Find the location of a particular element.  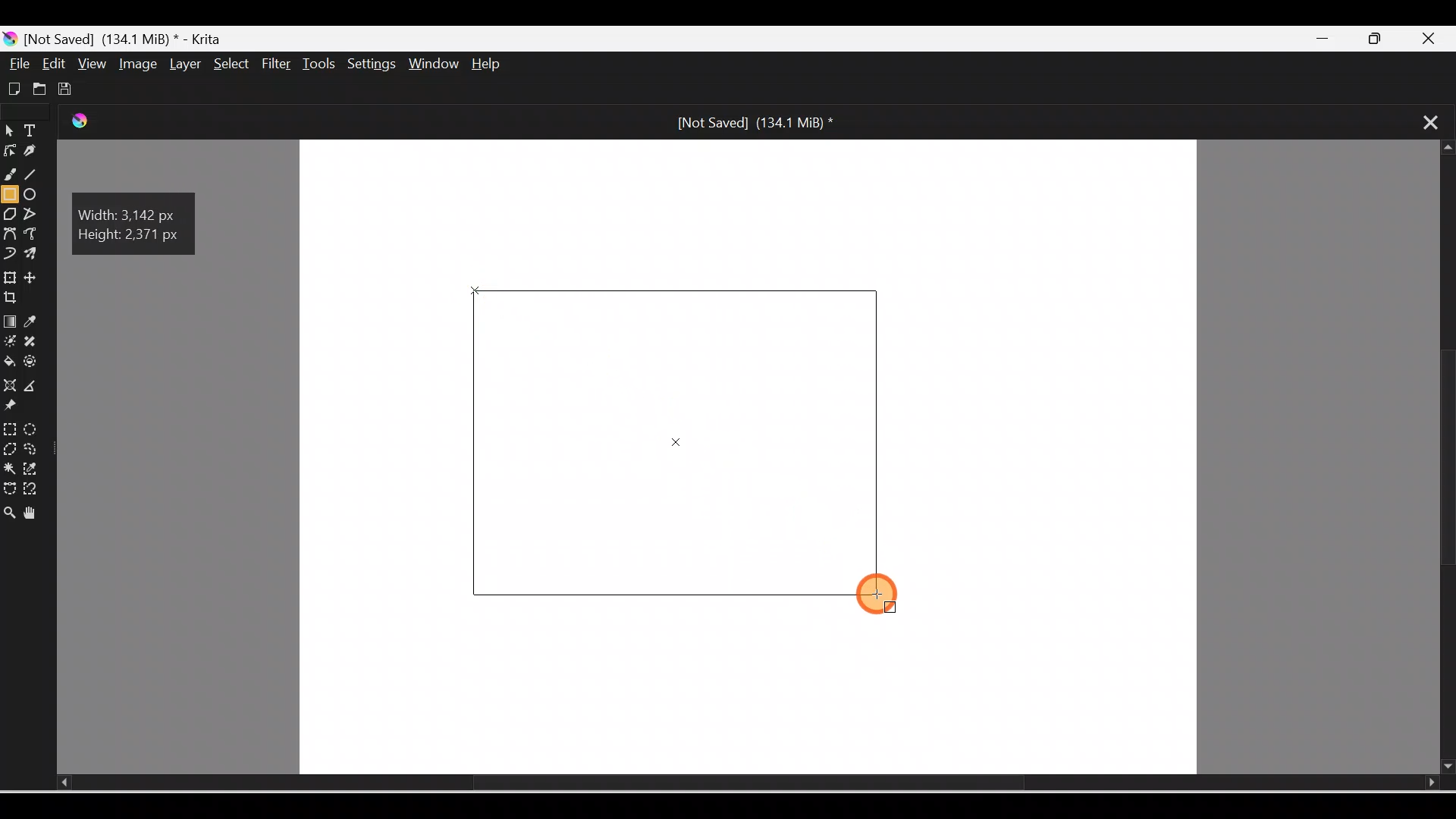

Reference images tool is located at coordinates (19, 408).